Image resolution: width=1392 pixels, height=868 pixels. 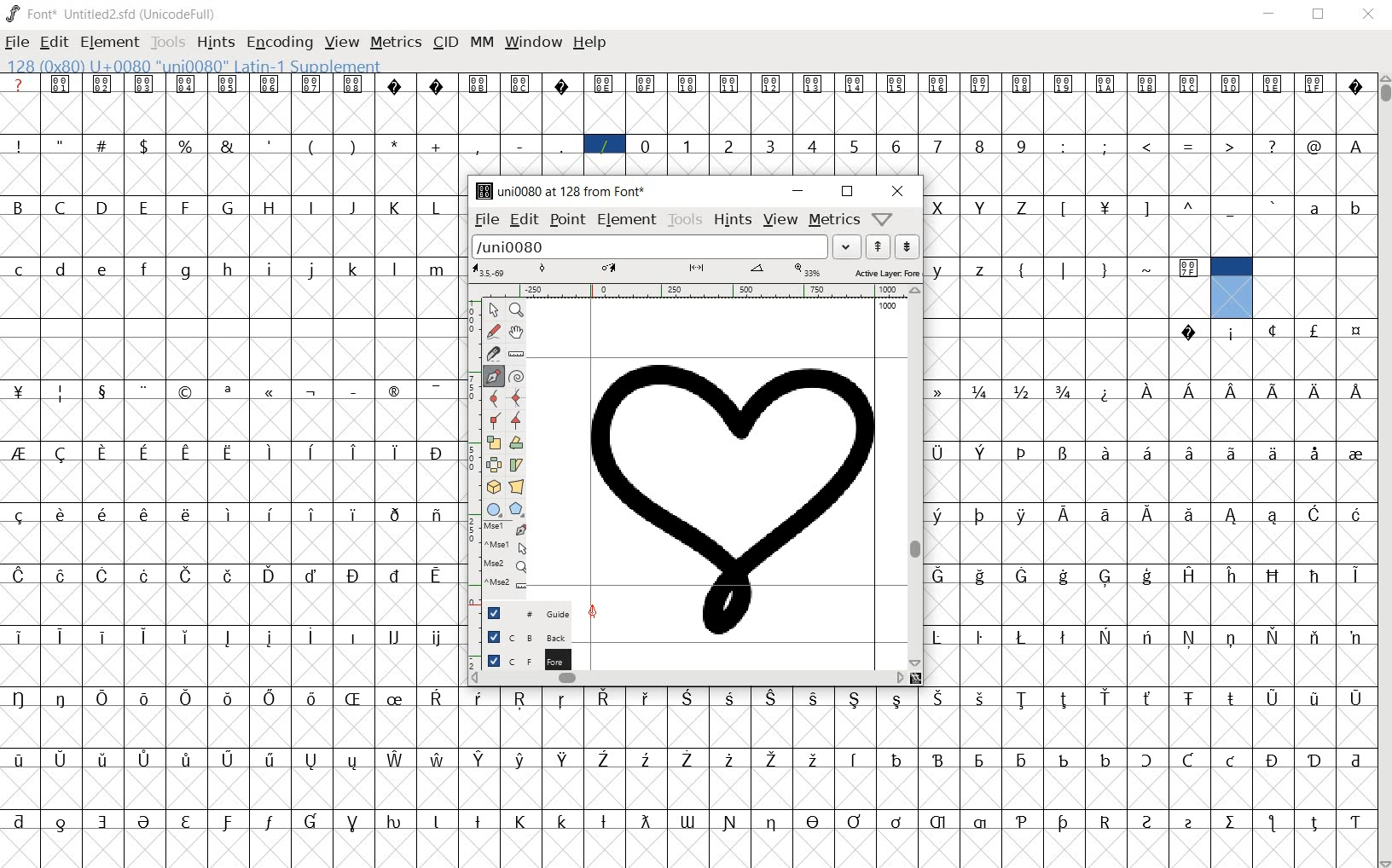 What do you see at coordinates (311, 761) in the screenshot?
I see `glyph` at bounding box center [311, 761].